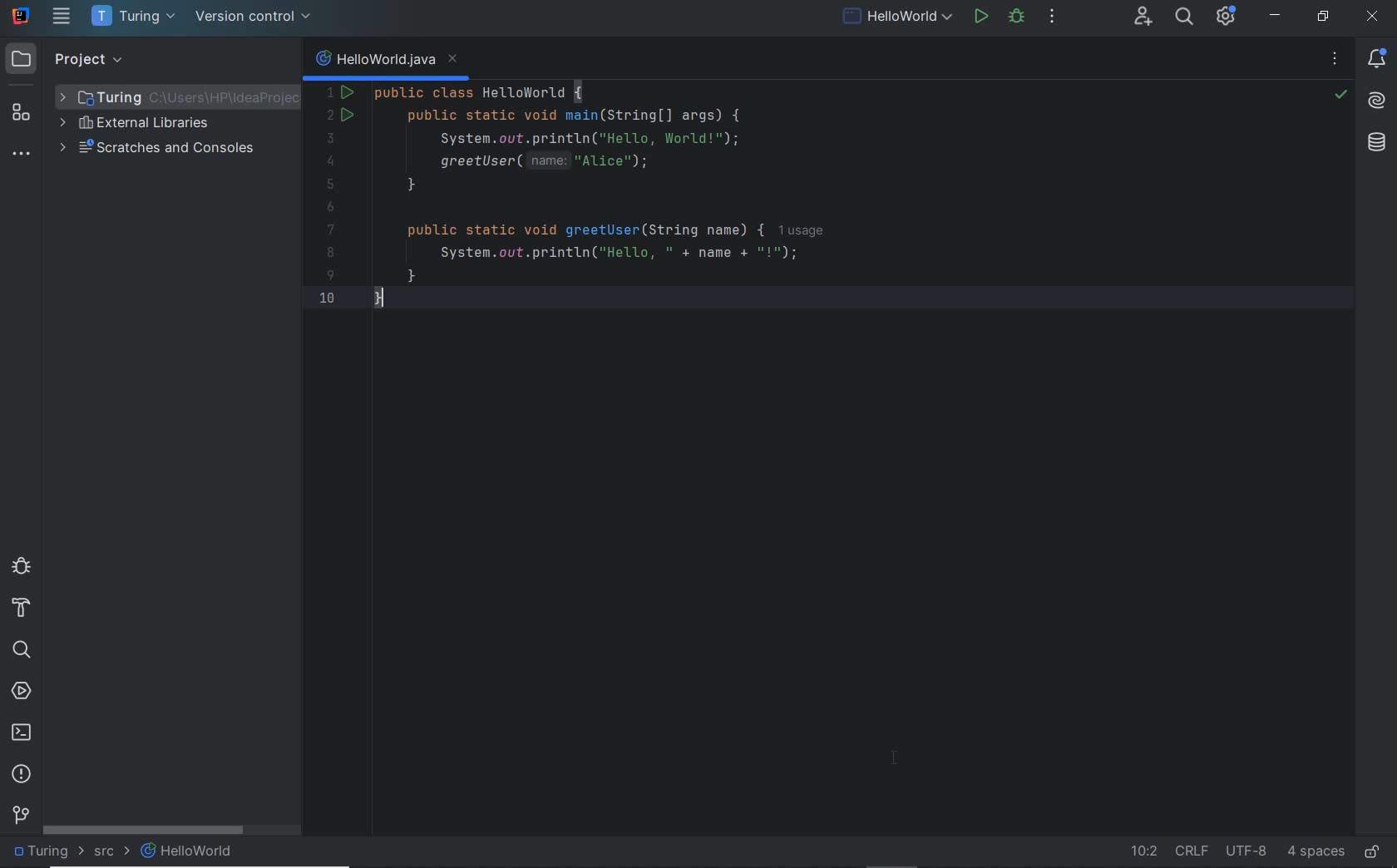 The height and width of the screenshot is (868, 1397). Describe the element at coordinates (1192, 851) in the screenshot. I see `line separator` at that location.